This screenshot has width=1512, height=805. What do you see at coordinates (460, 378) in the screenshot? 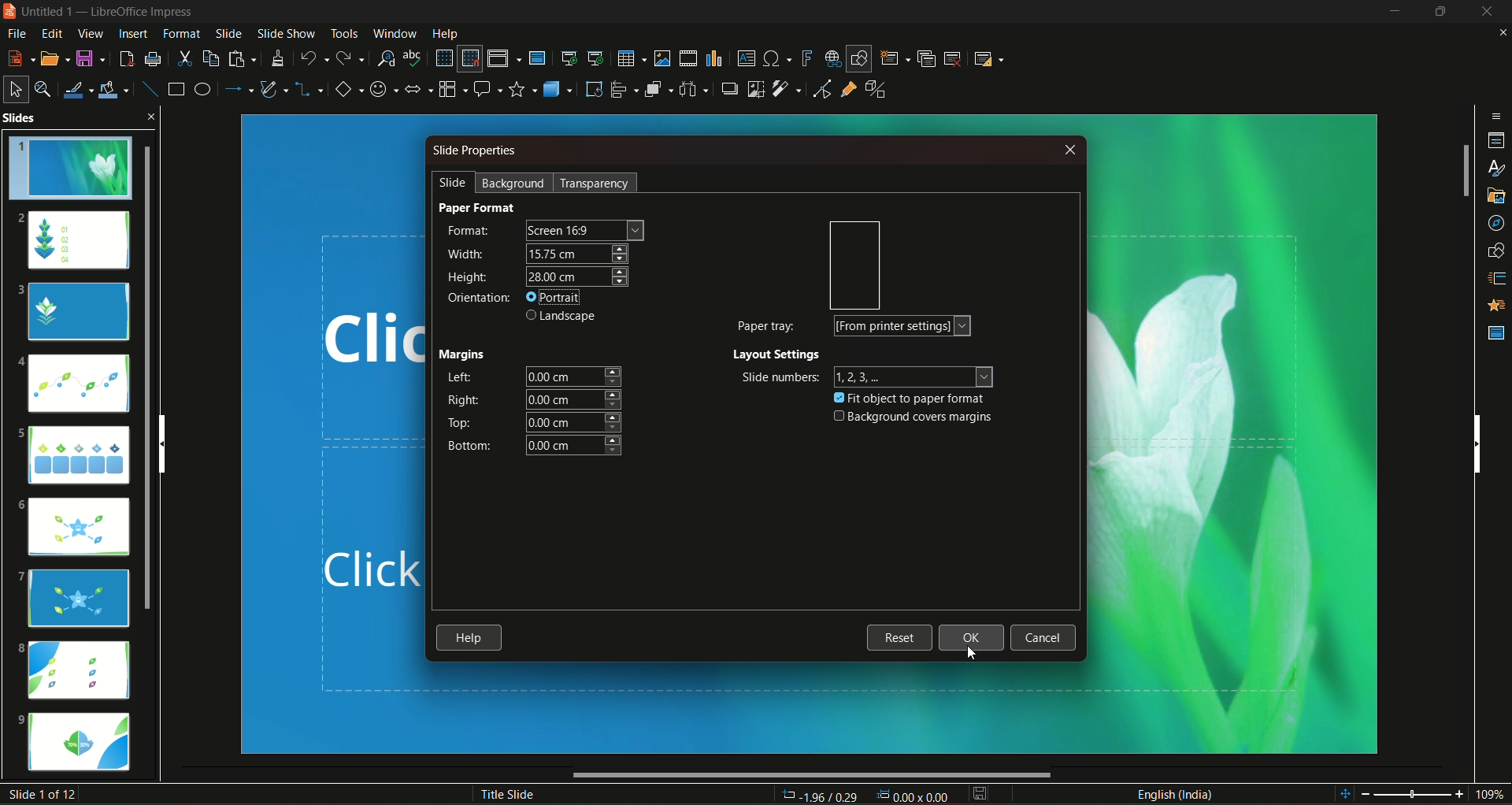
I see `left` at bounding box center [460, 378].